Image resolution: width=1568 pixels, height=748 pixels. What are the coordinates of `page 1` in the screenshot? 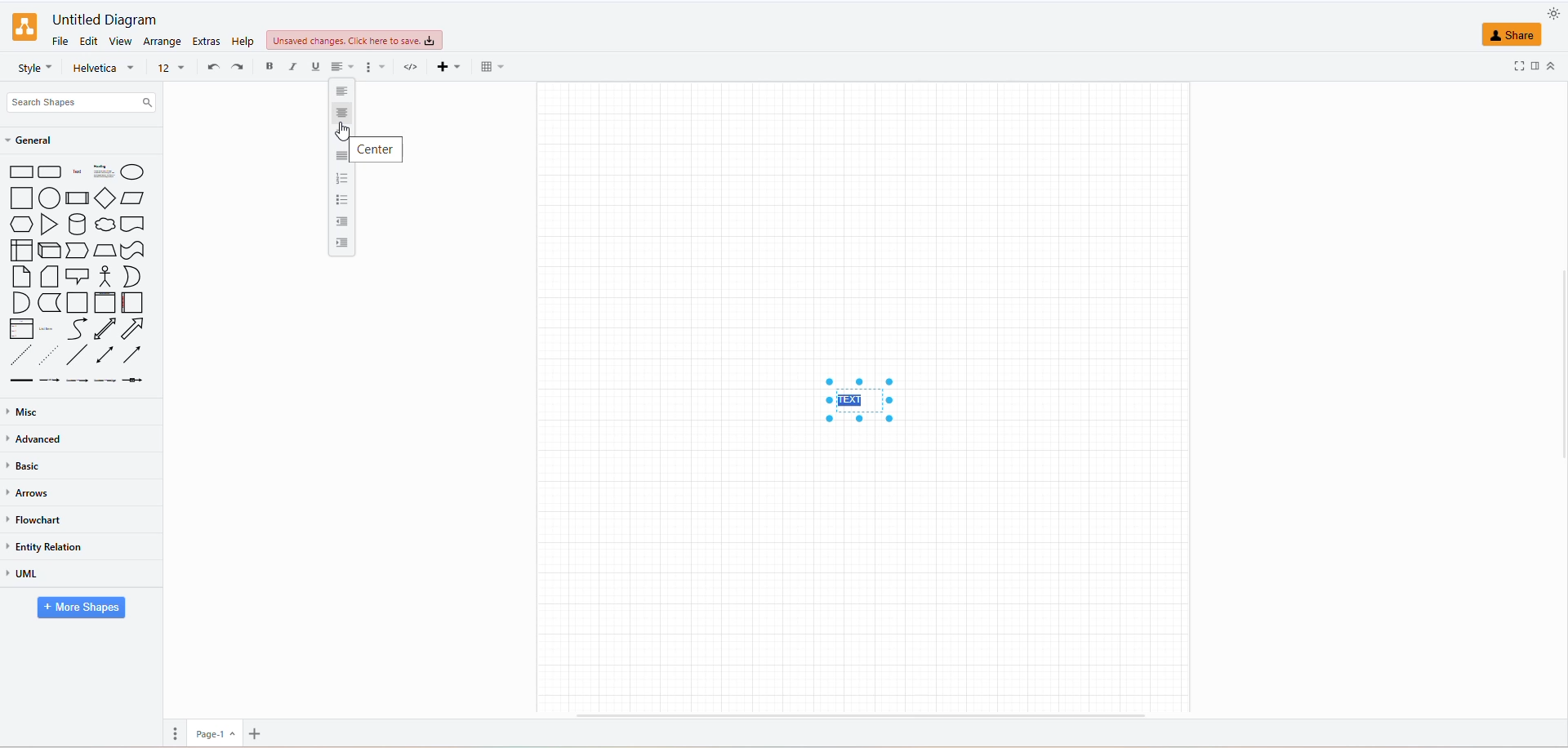 It's located at (213, 733).